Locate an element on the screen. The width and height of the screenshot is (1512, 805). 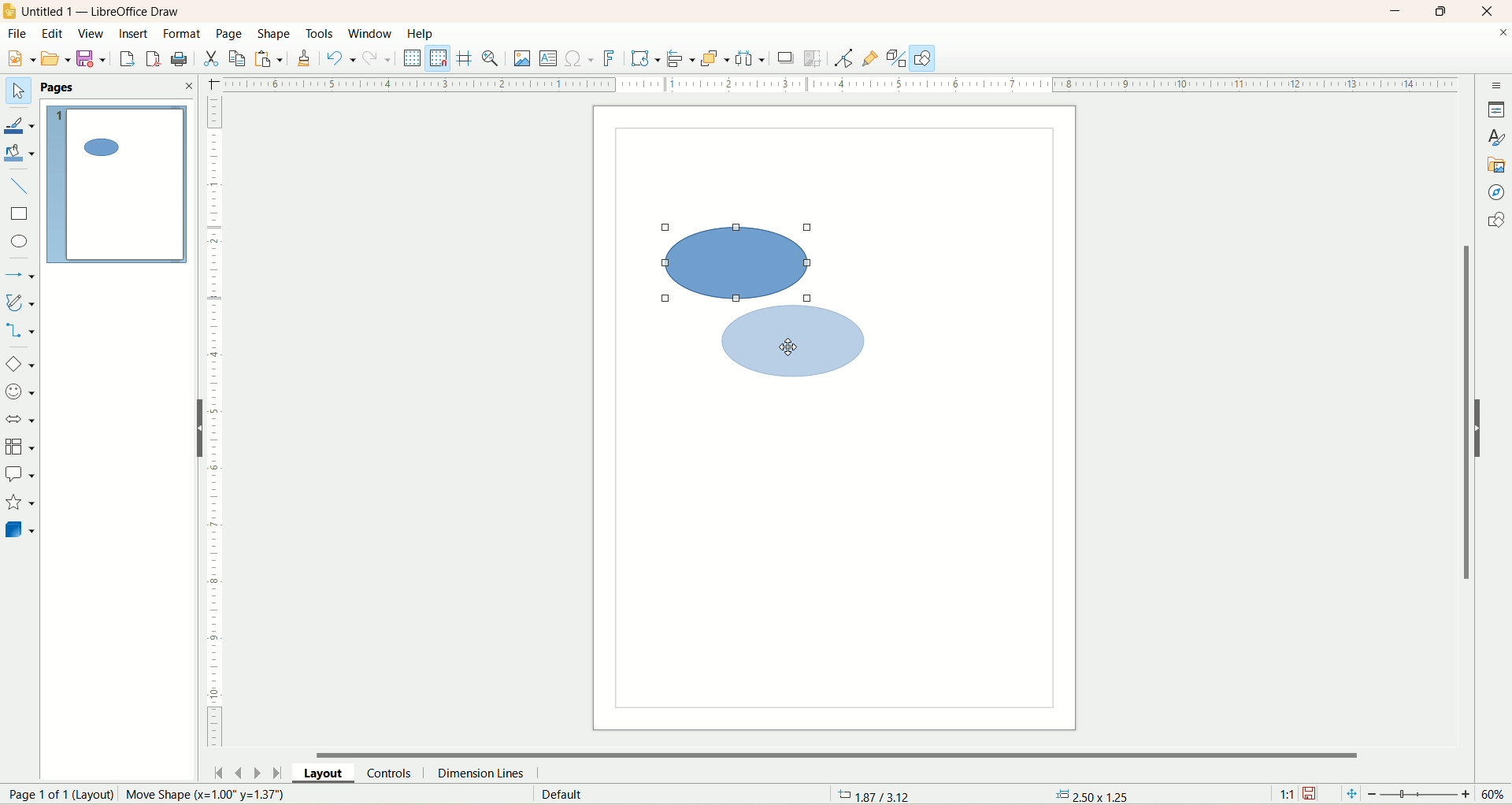
crop image is located at coordinates (814, 58).